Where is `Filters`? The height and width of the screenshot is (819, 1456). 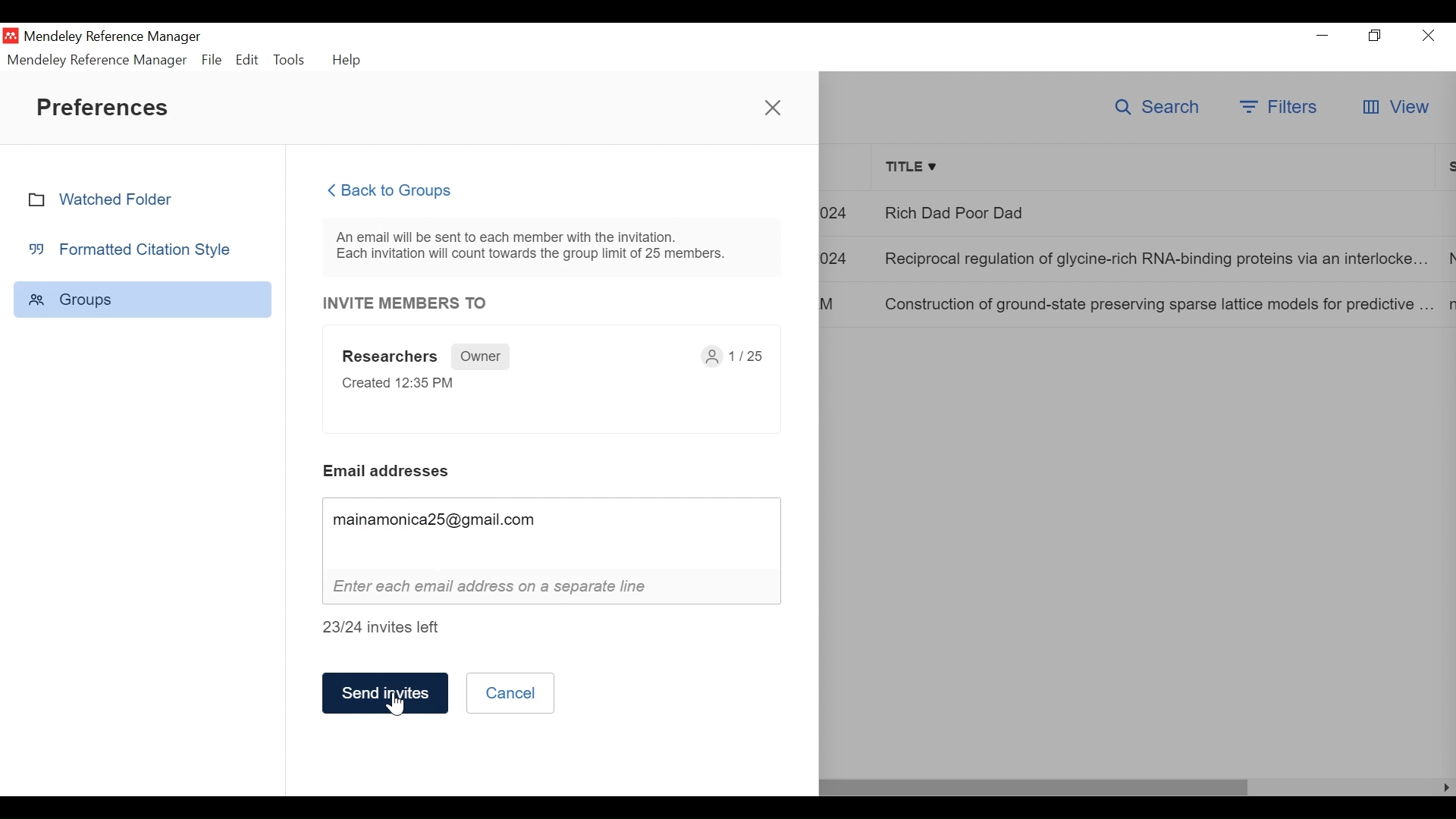 Filters is located at coordinates (1278, 106).